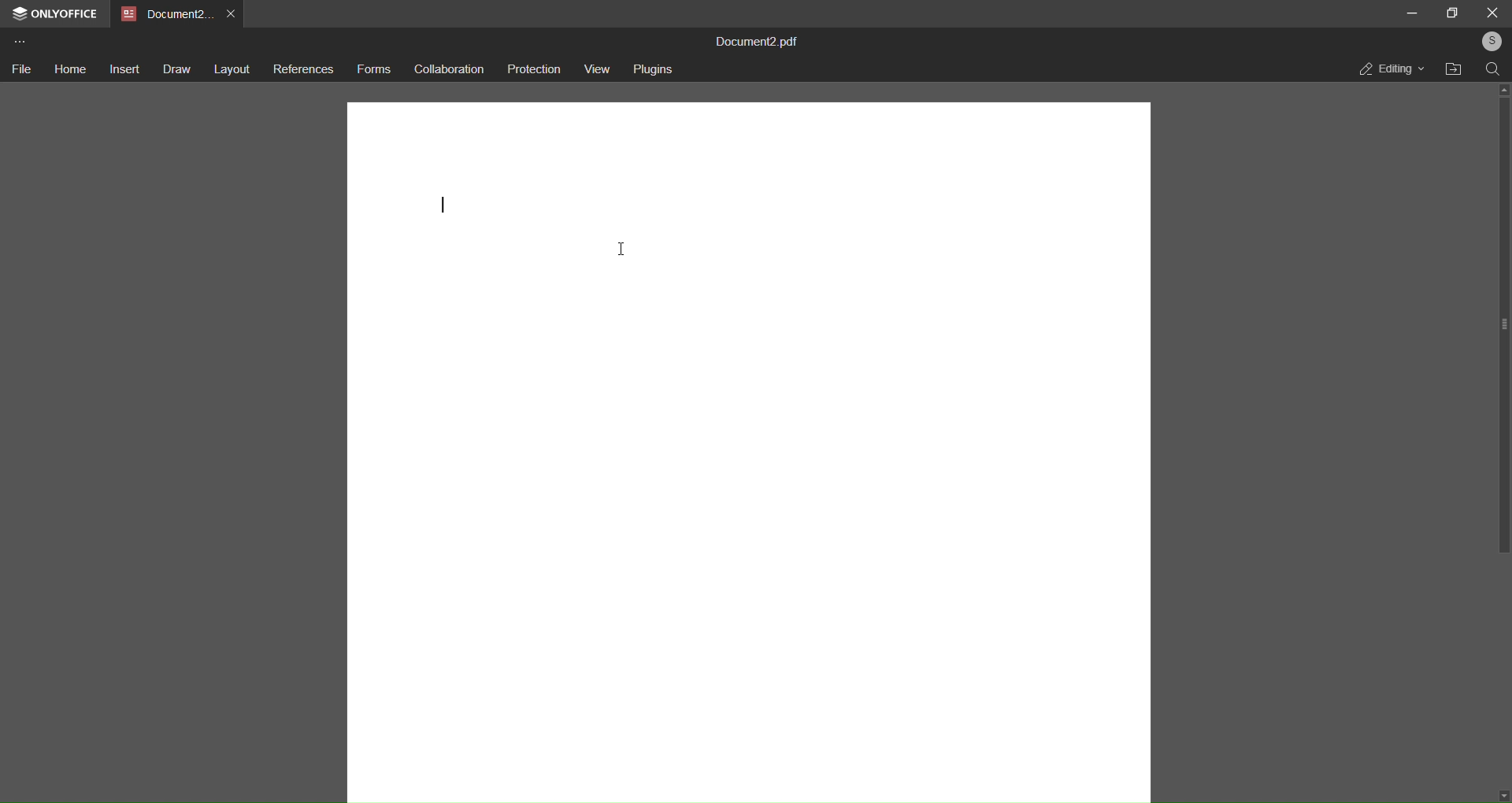 This screenshot has width=1512, height=803. Describe the element at coordinates (1505, 328) in the screenshot. I see `scroll bar` at that location.